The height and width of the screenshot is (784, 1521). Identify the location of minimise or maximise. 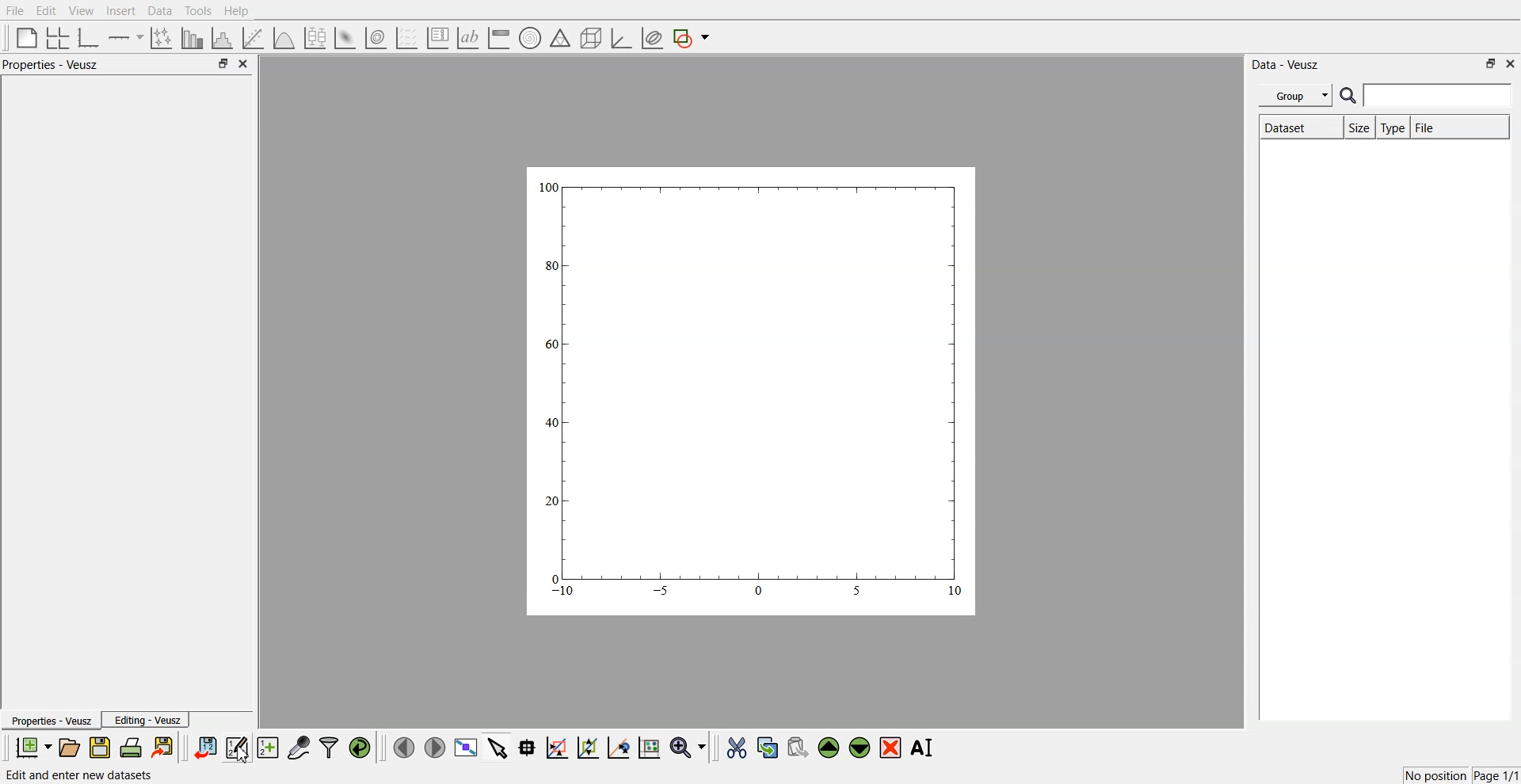
(223, 64).